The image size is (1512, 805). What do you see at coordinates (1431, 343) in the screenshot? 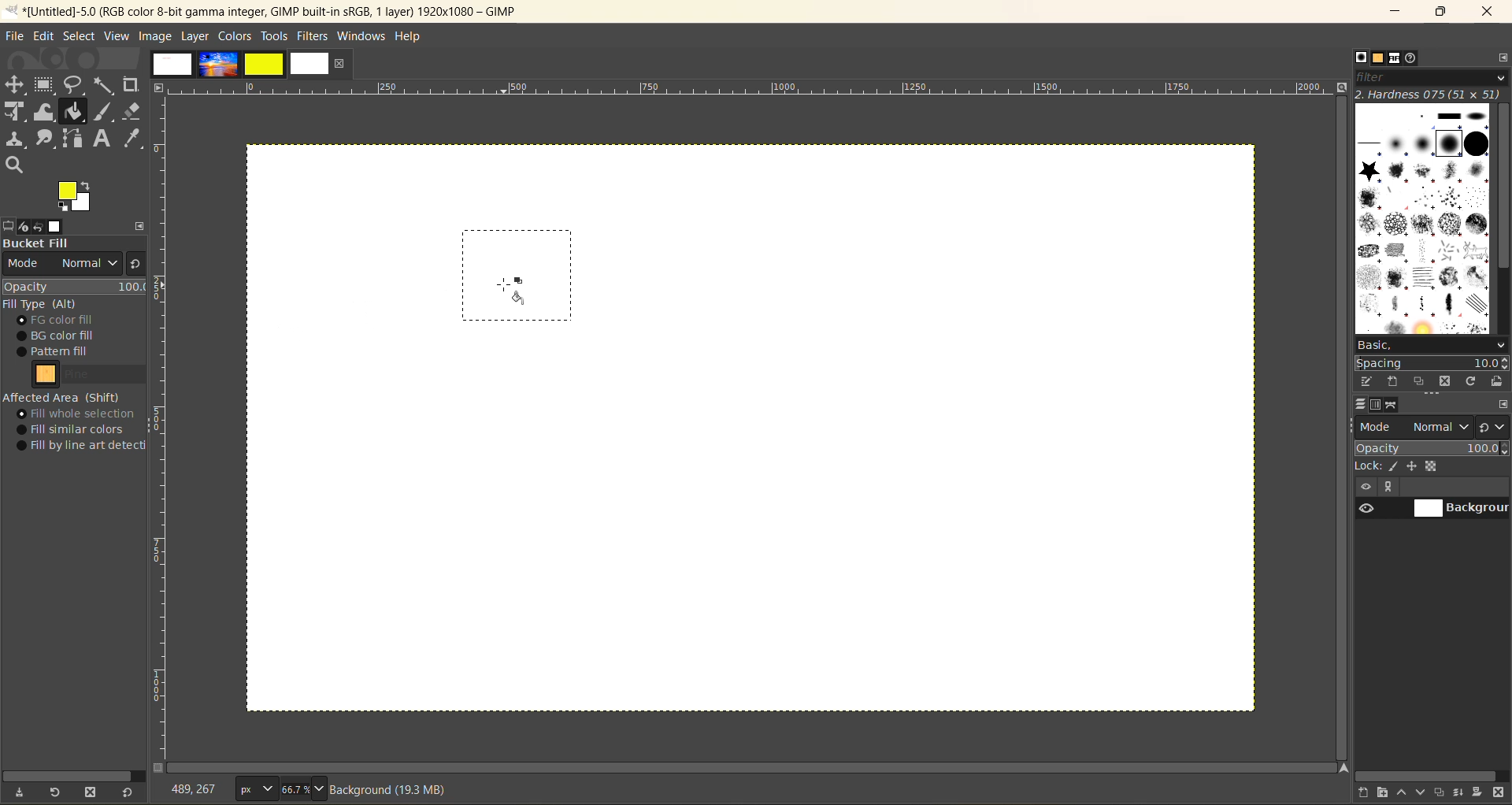
I see `basic` at bounding box center [1431, 343].